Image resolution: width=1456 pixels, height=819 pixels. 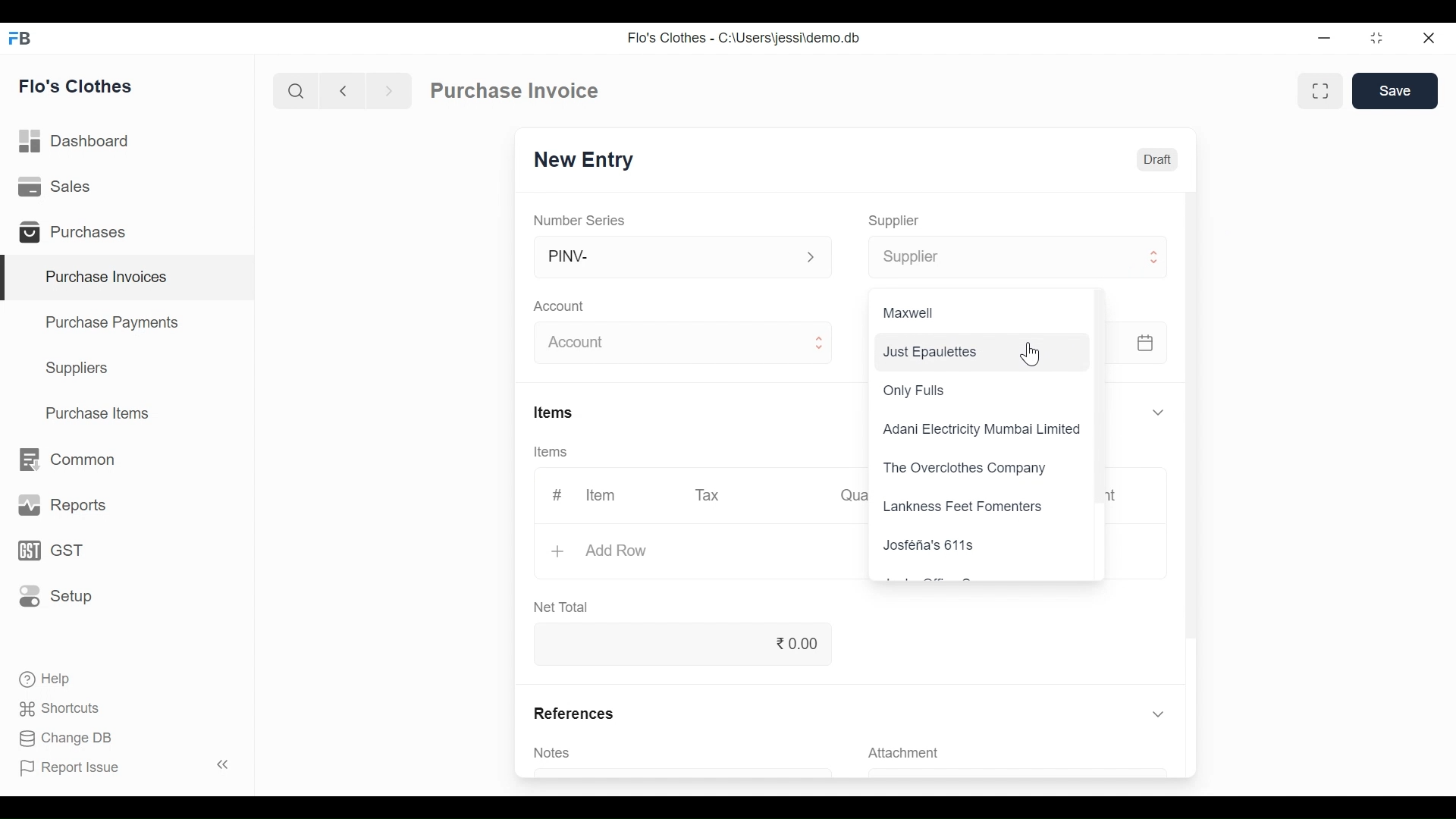 I want to click on Supplier, so click(x=897, y=221).